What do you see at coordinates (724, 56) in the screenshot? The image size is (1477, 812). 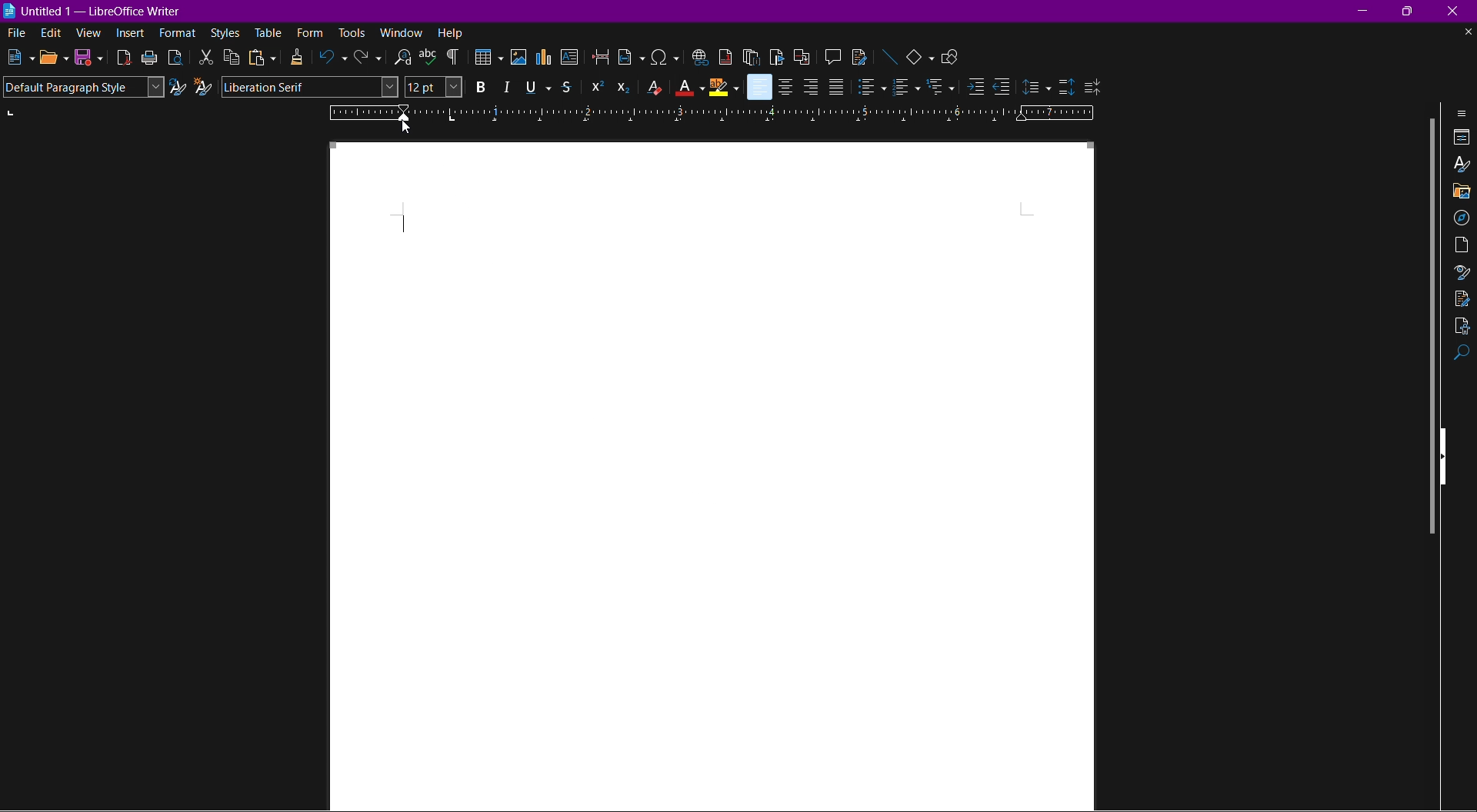 I see `Insert Footnote` at bounding box center [724, 56].